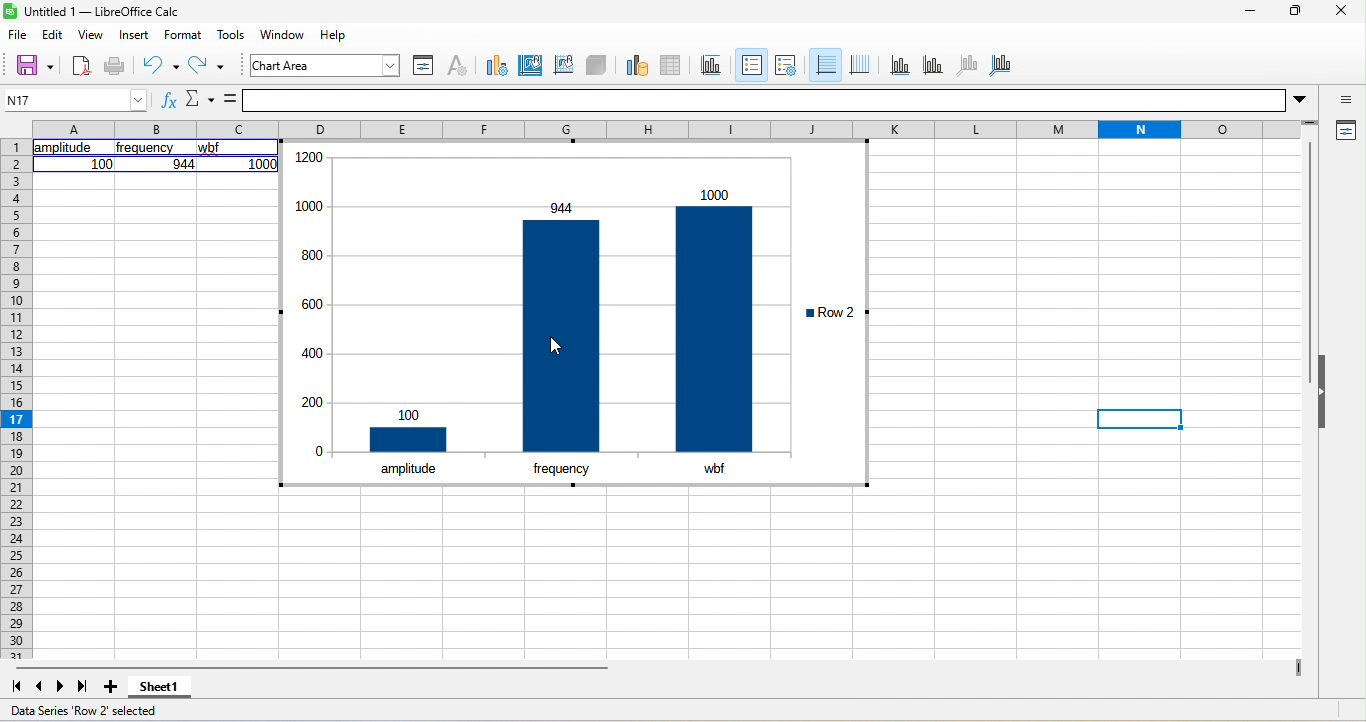  I want to click on amplitude, so click(63, 148).